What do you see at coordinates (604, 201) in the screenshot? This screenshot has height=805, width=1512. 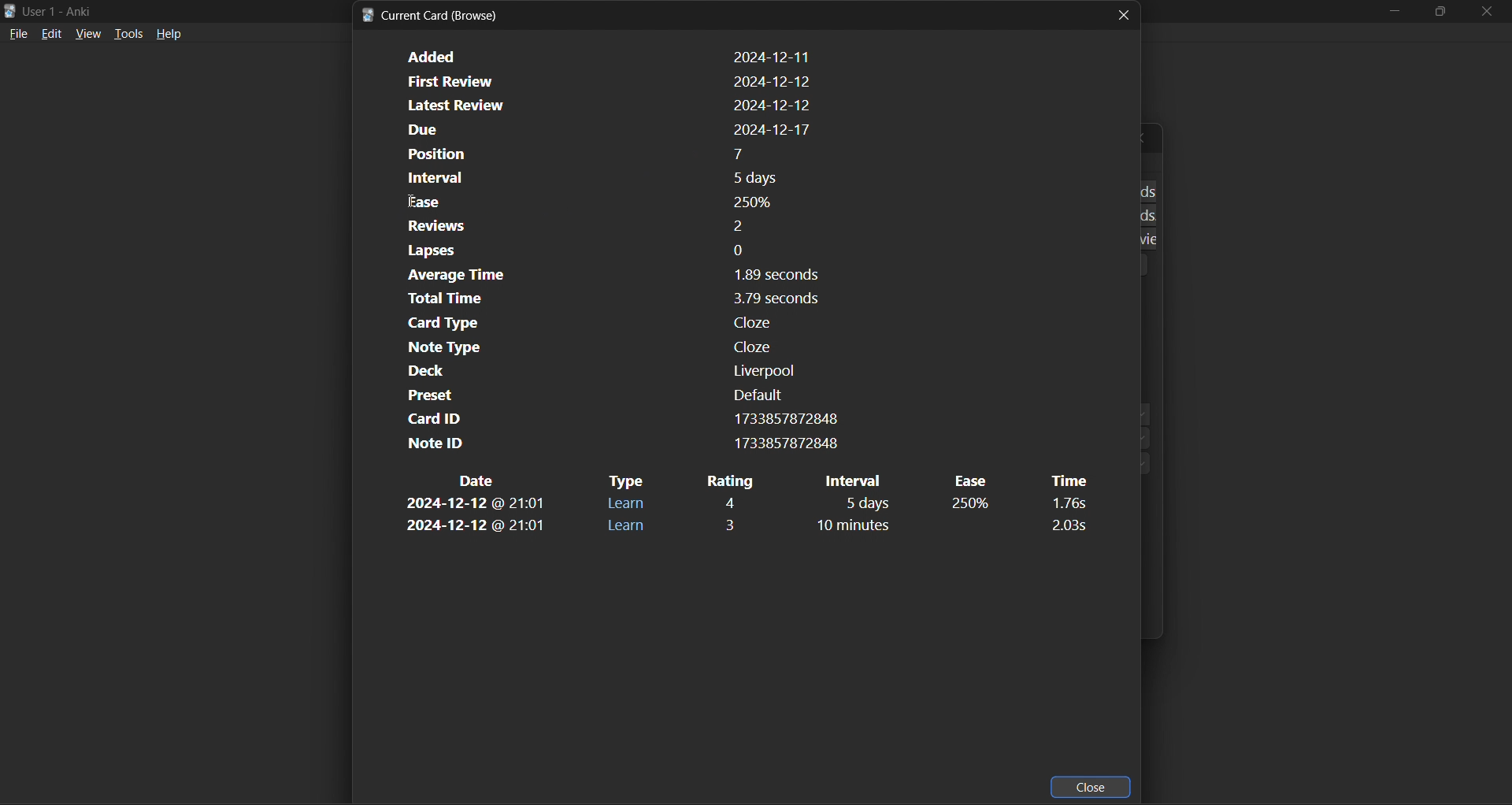 I see `card ease factor` at bounding box center [604, 201].